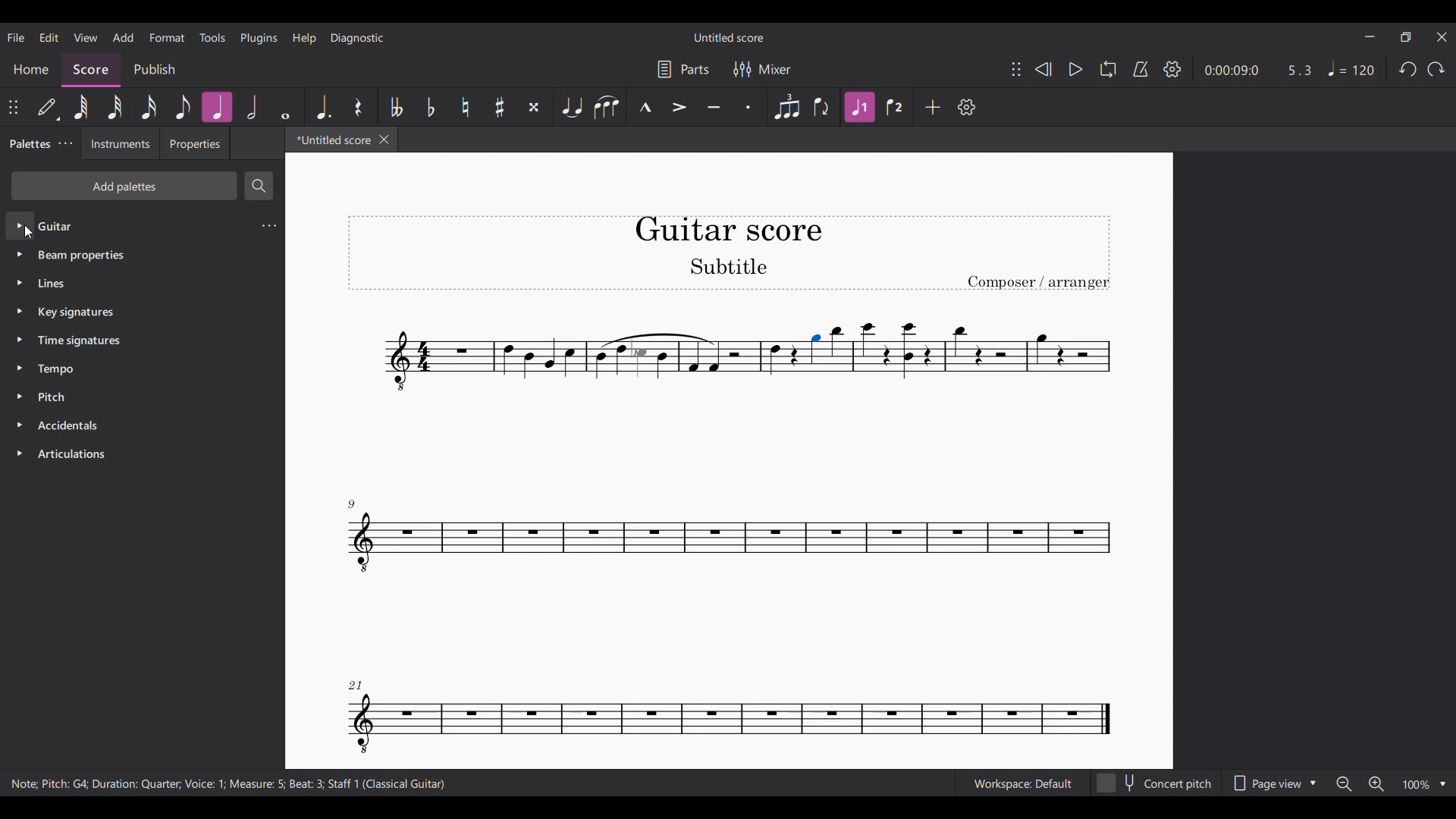 This screenshot has width=1456, height=819. What do you see at coordinates (1172, 69) in the screenshot?
I see `Settings` at bounding box center [1172, 69].